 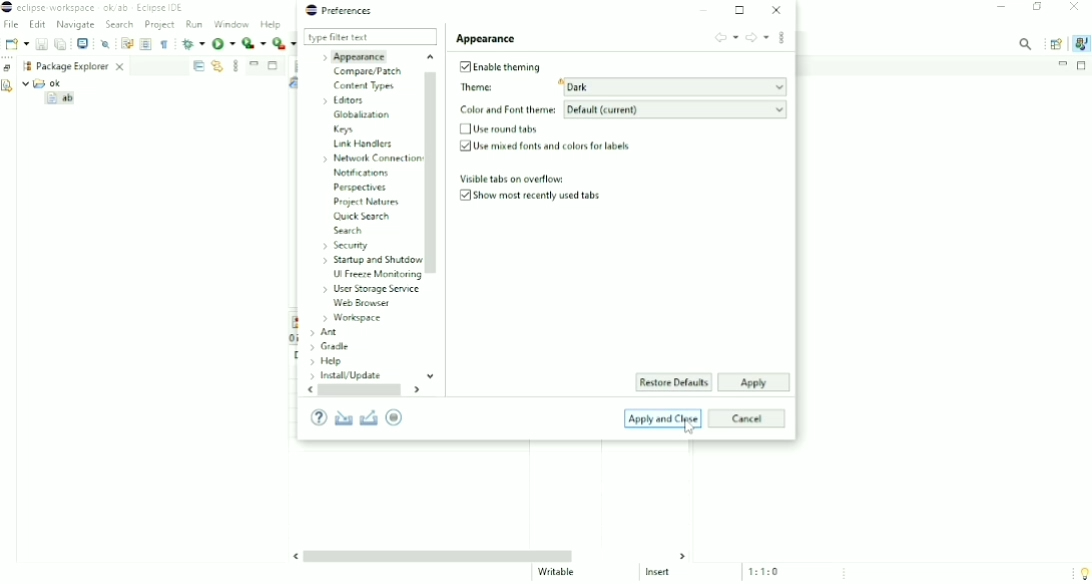 What do you see at coordinates (1026, 43) in the screenshot?
I see `Access commands and other items` at bounding box center [1026, 43].